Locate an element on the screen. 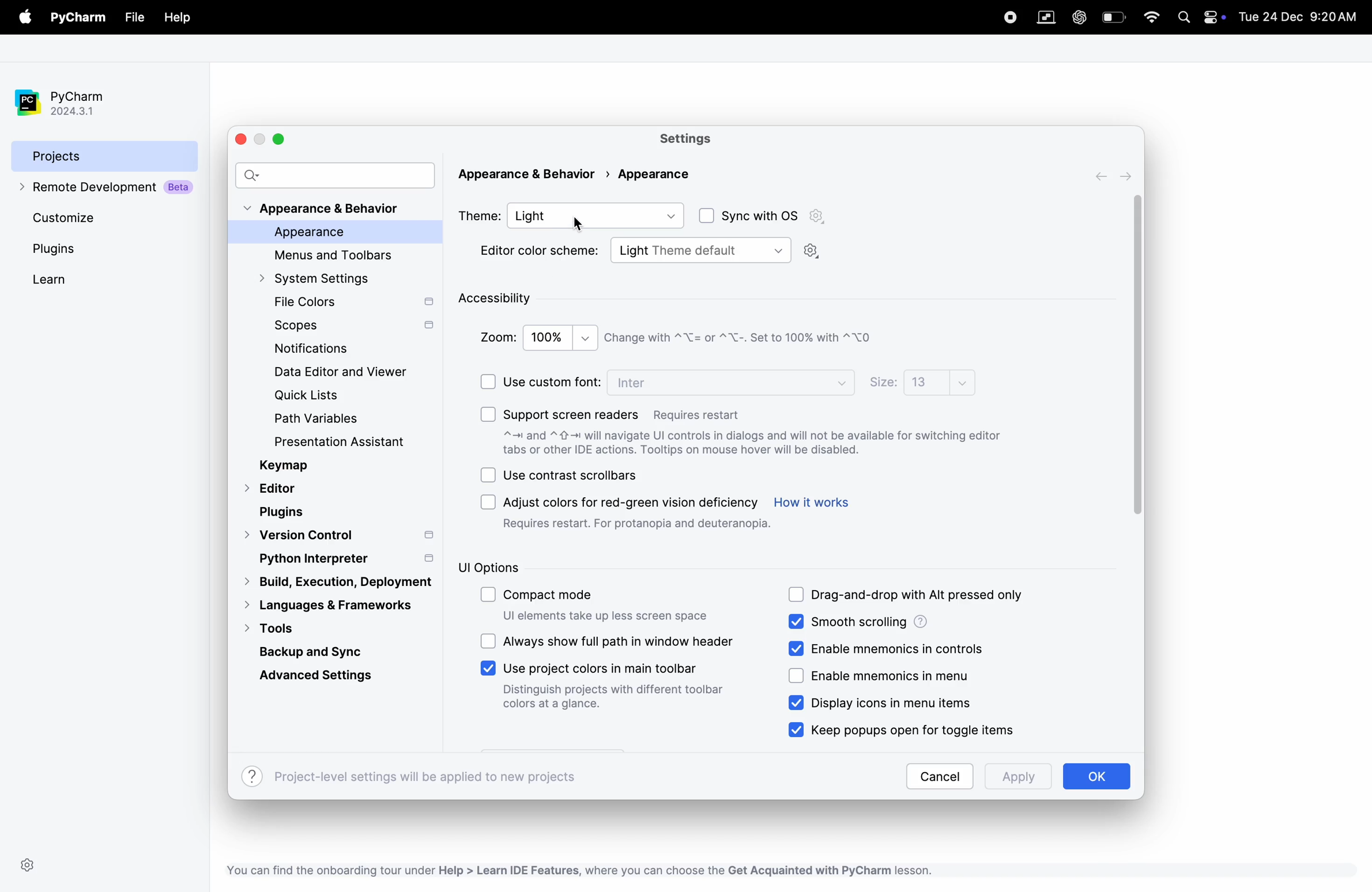  learn is located at coordinates (68, 279).